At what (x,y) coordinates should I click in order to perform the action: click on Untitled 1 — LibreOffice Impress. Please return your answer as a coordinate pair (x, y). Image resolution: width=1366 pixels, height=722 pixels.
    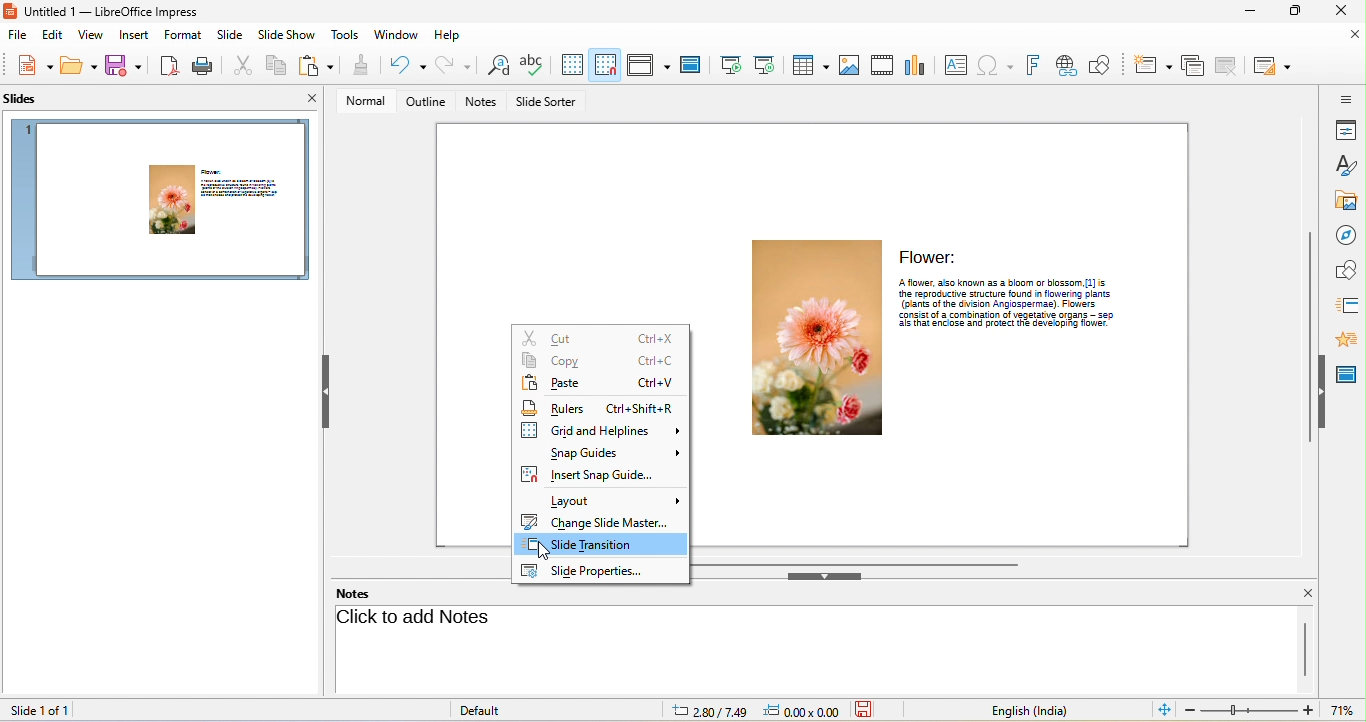
    Looking at the image, I should click on (105, 11).